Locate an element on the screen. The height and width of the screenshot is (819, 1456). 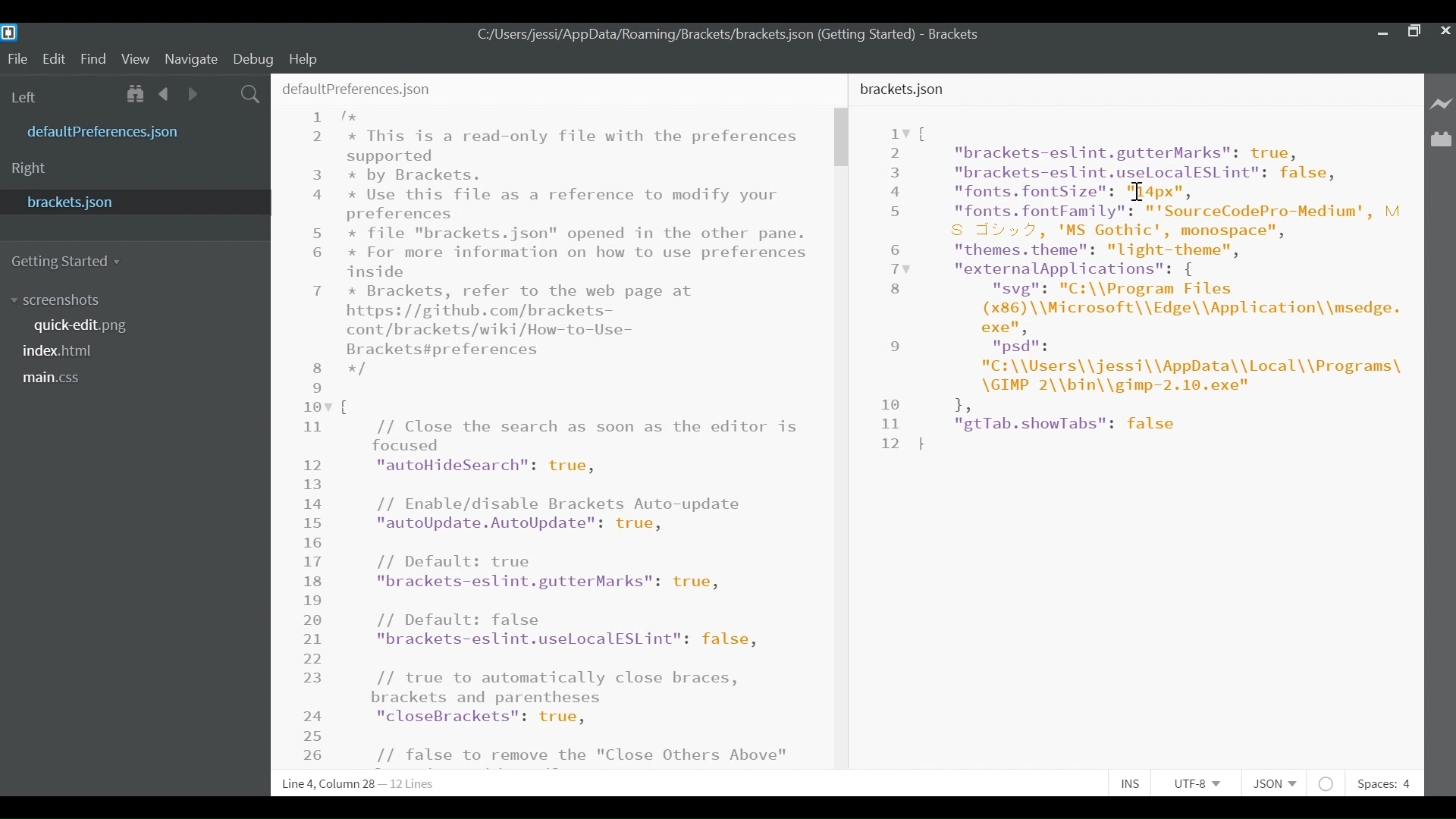
cursor is located at coordinates (1139, 193).